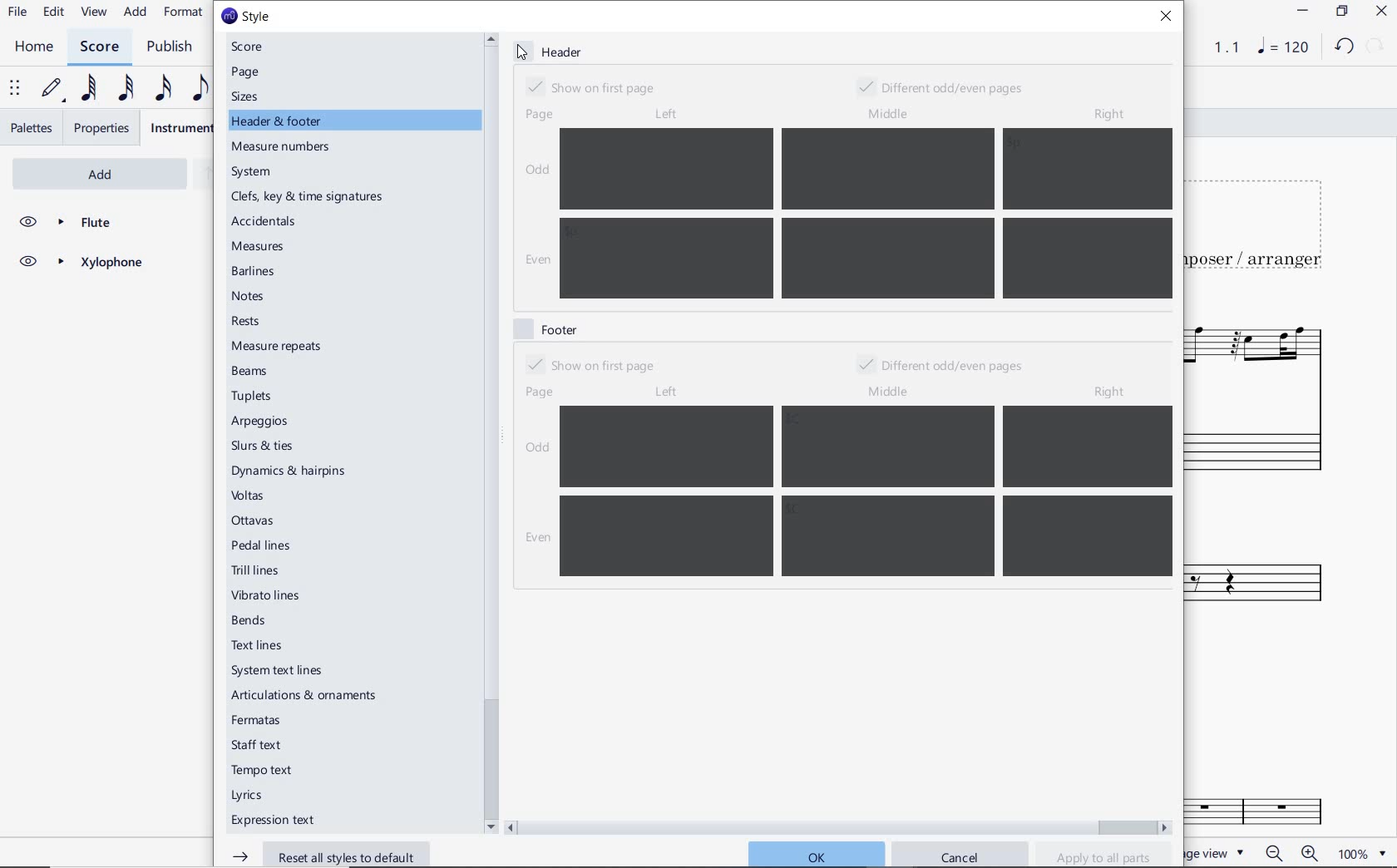  Describe the element at coordinates (311, 197) in the screenshot. I see `clefs, key & time signatures` at that location.